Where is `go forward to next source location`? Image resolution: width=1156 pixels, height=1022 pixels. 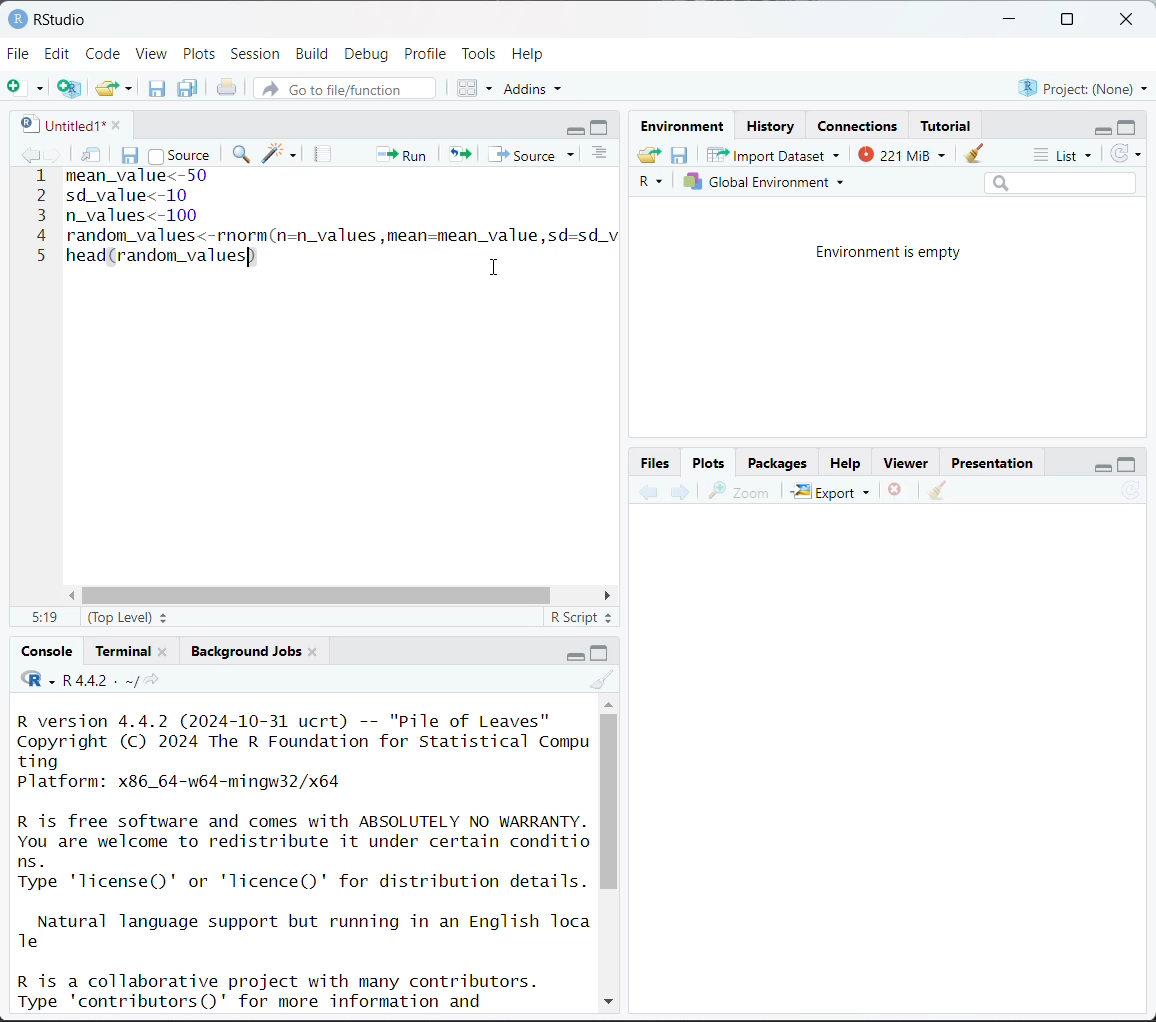
go forward to next source location is located at coordinates (54, 156).